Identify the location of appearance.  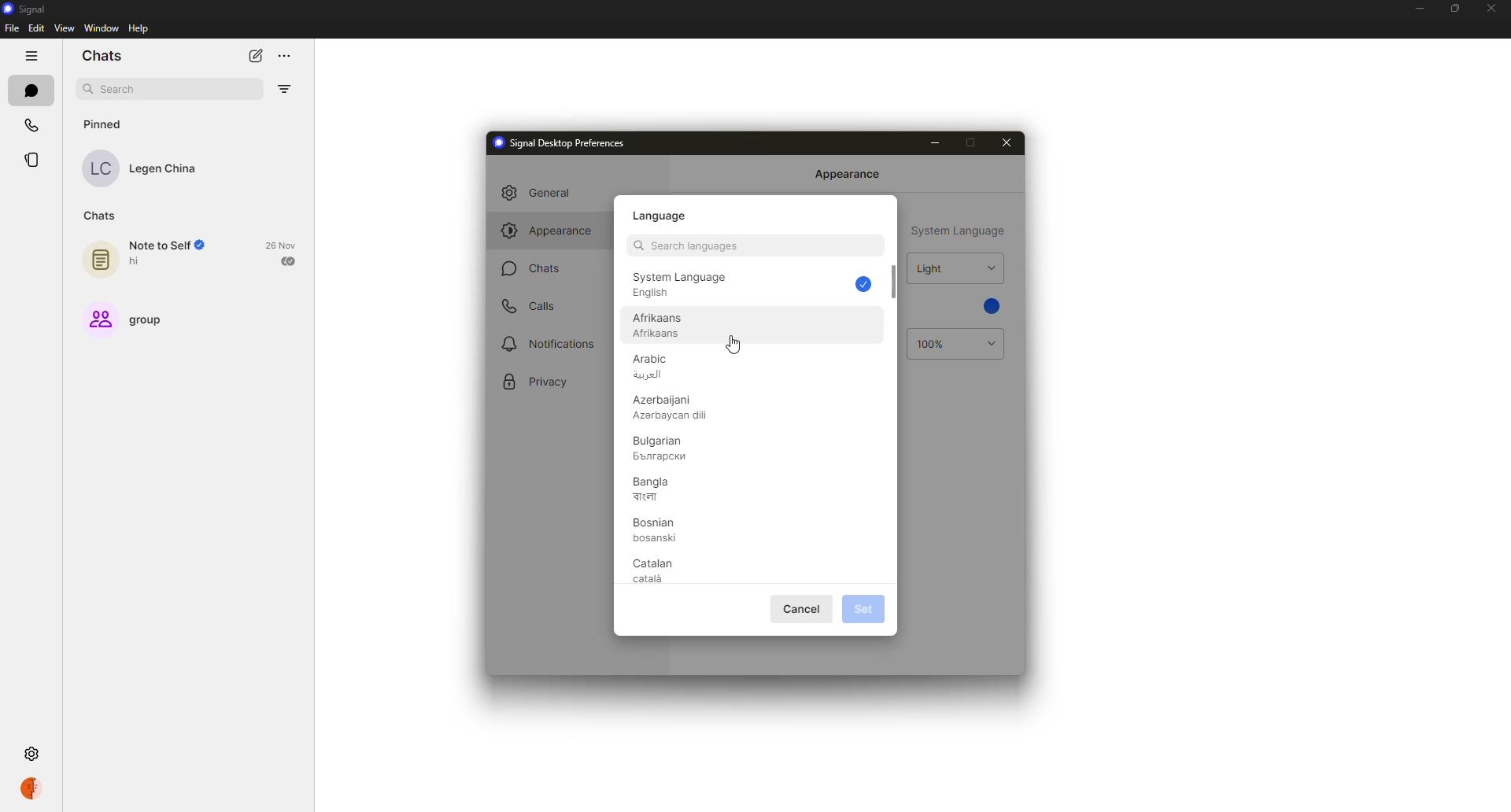
(848, 174).